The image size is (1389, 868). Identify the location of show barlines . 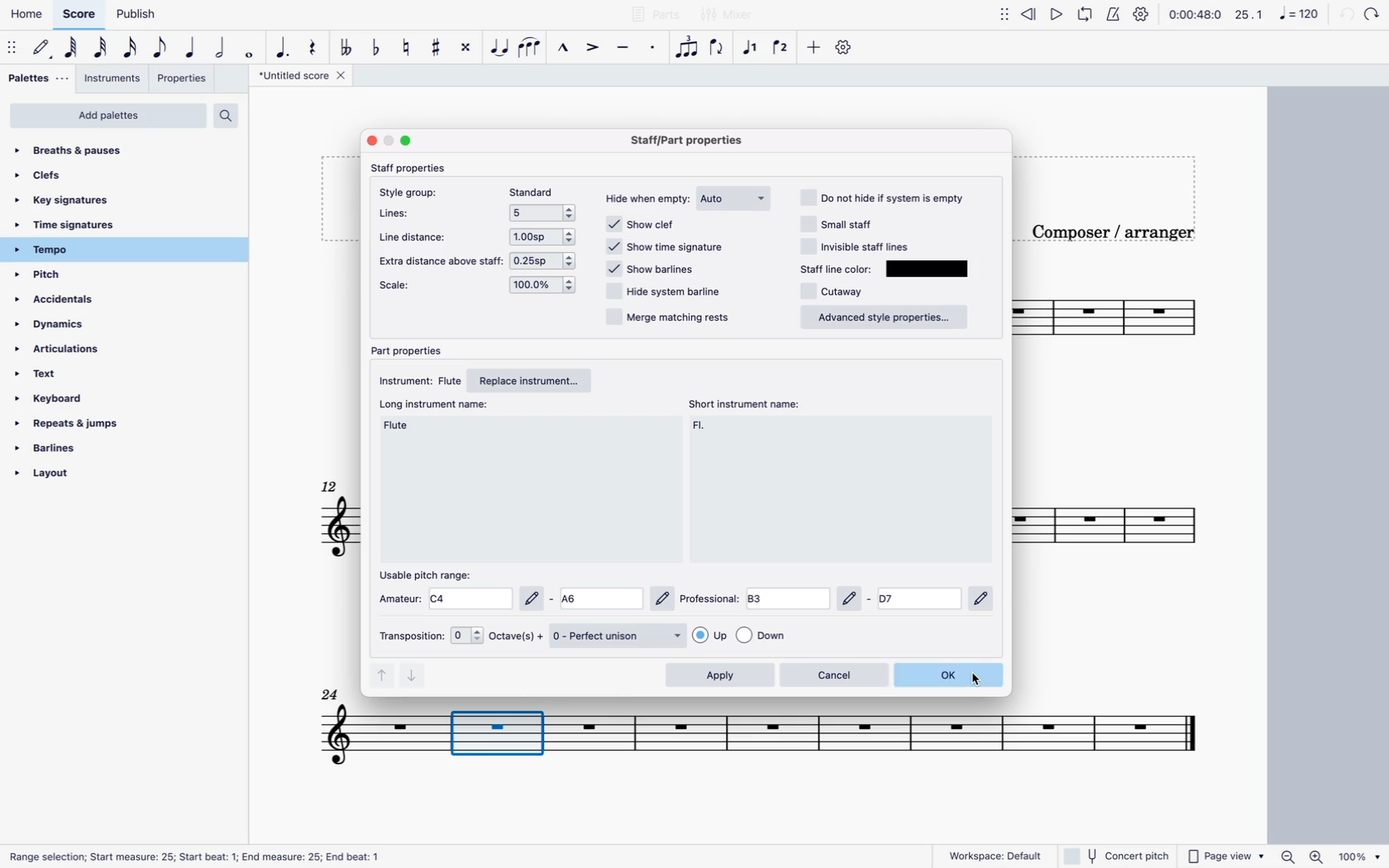
(657, 267).